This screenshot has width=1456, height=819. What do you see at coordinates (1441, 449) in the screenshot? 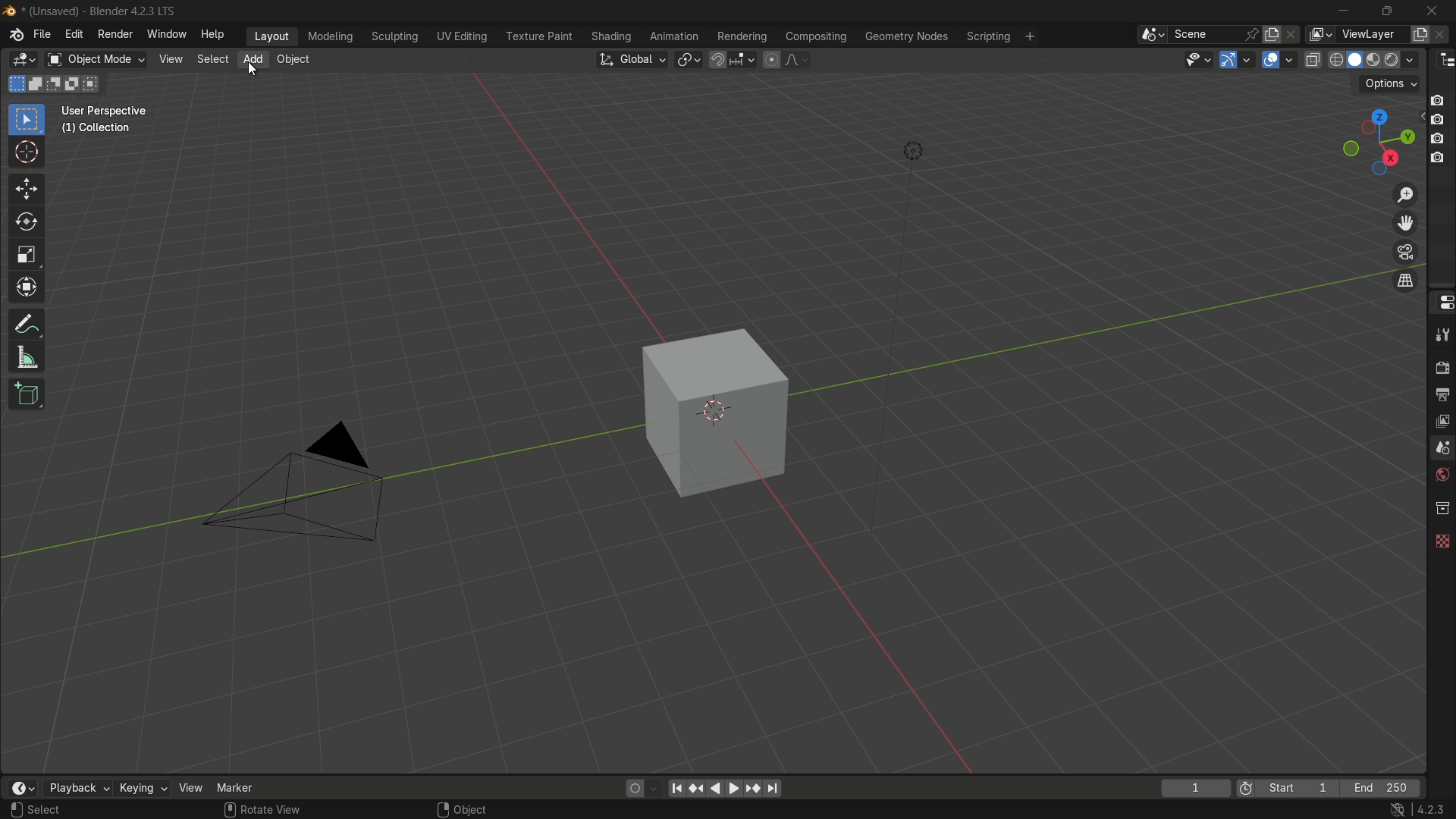
I see `scene` at bounding box center [1441, 449].